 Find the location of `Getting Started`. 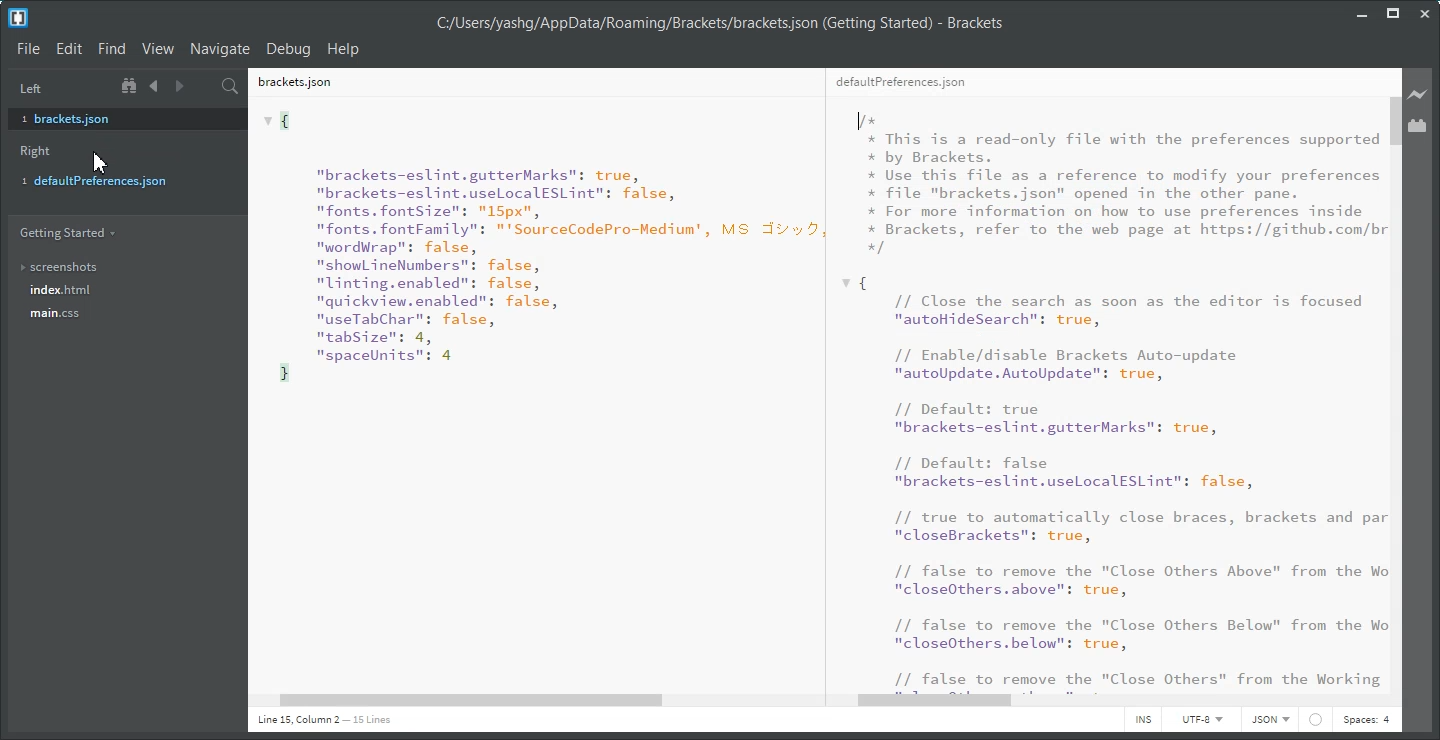

Getting Started is located at coordinates (67, 232).